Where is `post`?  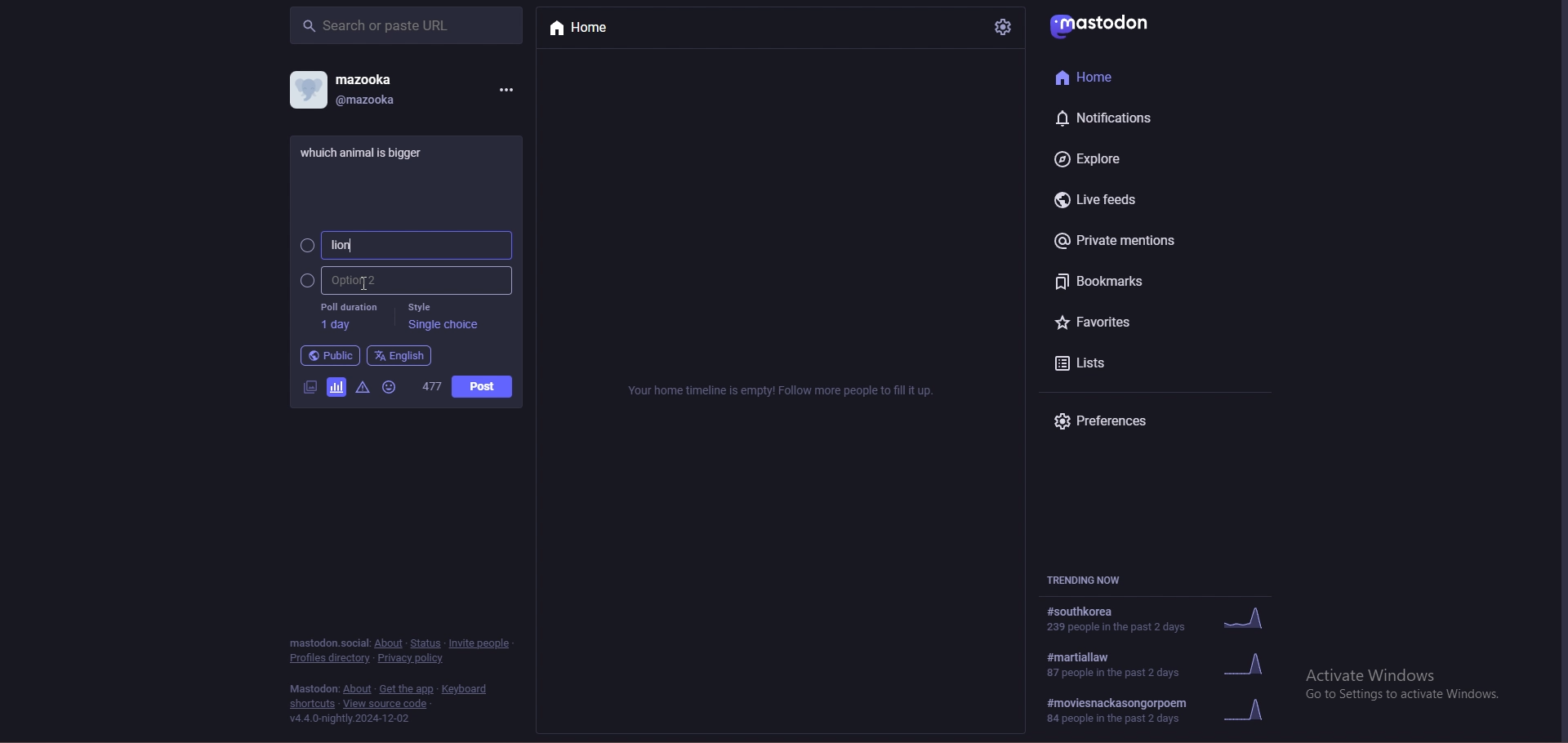 post is located at coordinates (483, 386).